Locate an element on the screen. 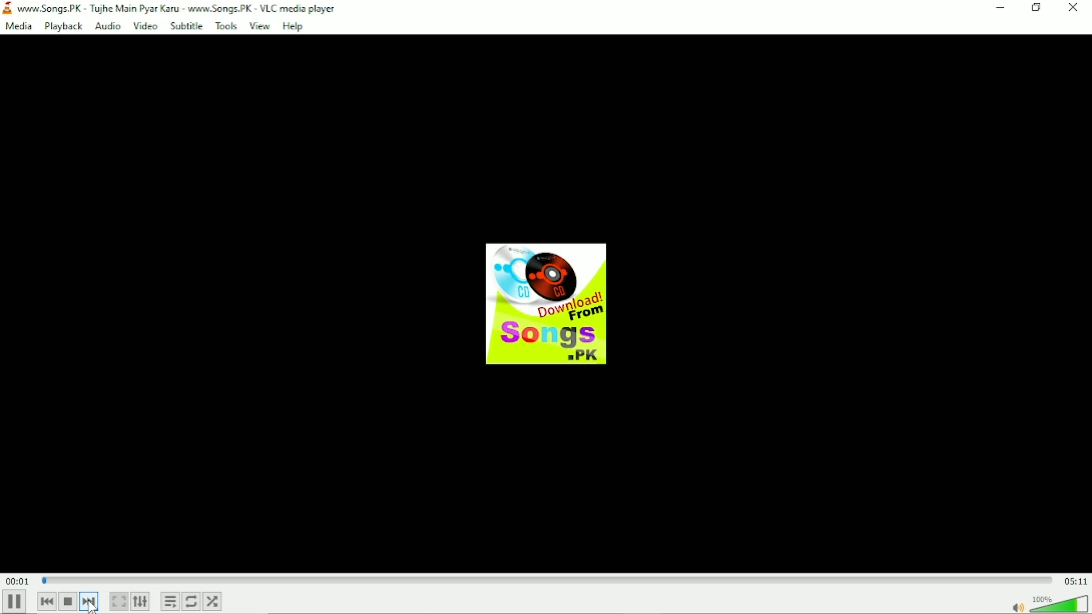 The image size is (1092, 614). Play duration is located at coordinates (544, 579).